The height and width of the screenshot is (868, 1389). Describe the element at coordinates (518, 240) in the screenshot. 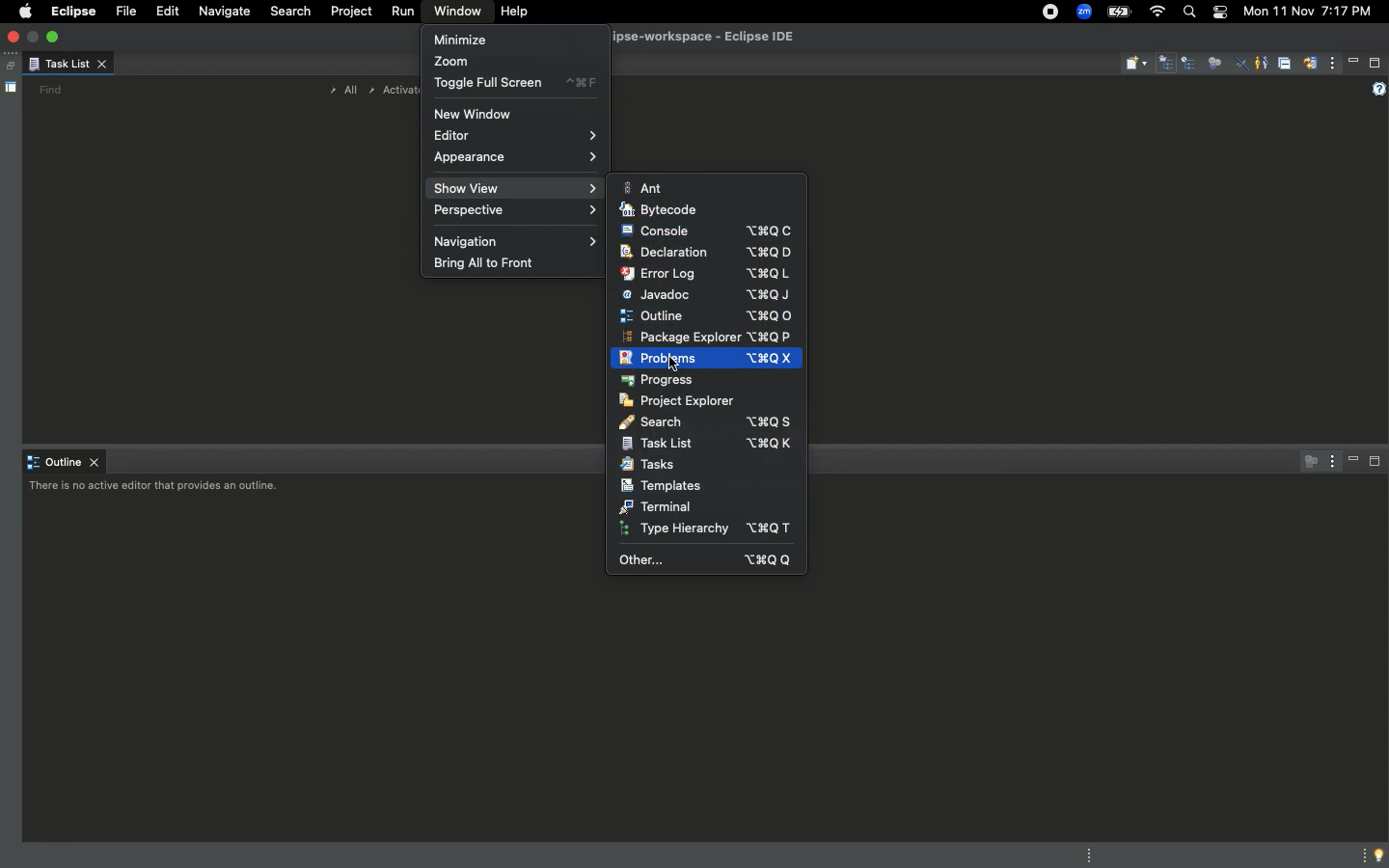

I see `Navigation` at that location.